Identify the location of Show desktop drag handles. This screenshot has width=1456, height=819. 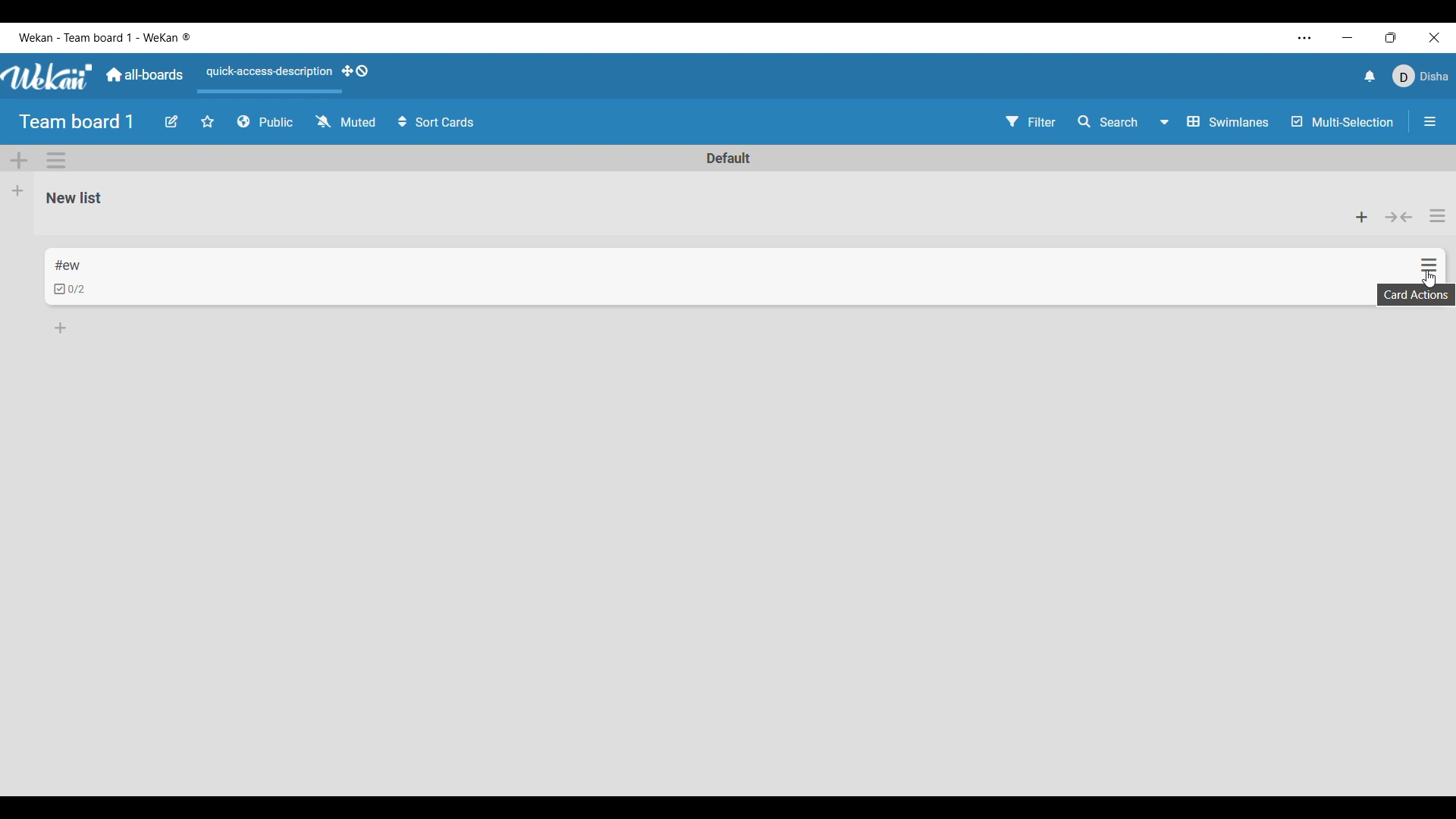
(355, 71).